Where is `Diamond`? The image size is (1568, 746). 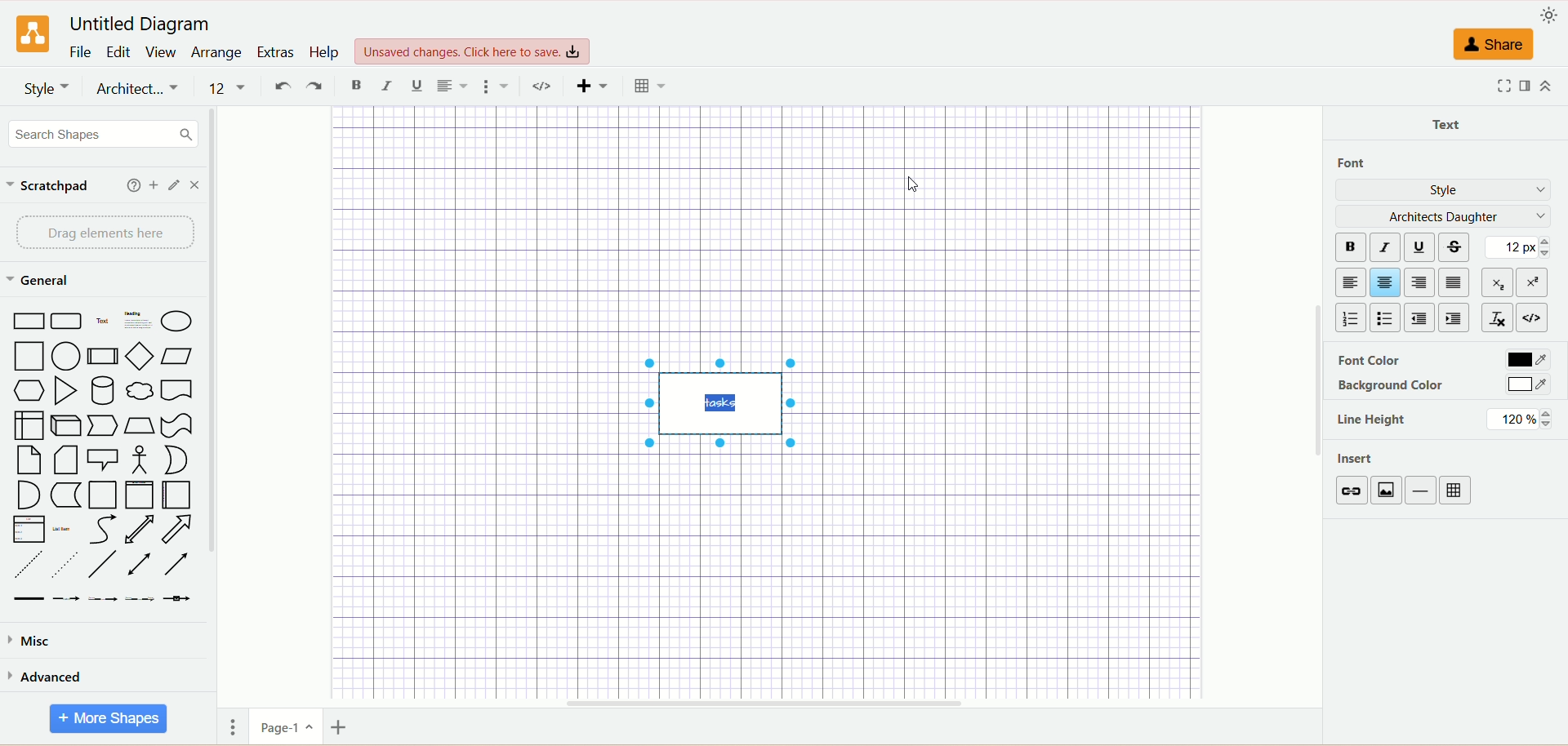
Diamond is located at coordinates (141, 358).